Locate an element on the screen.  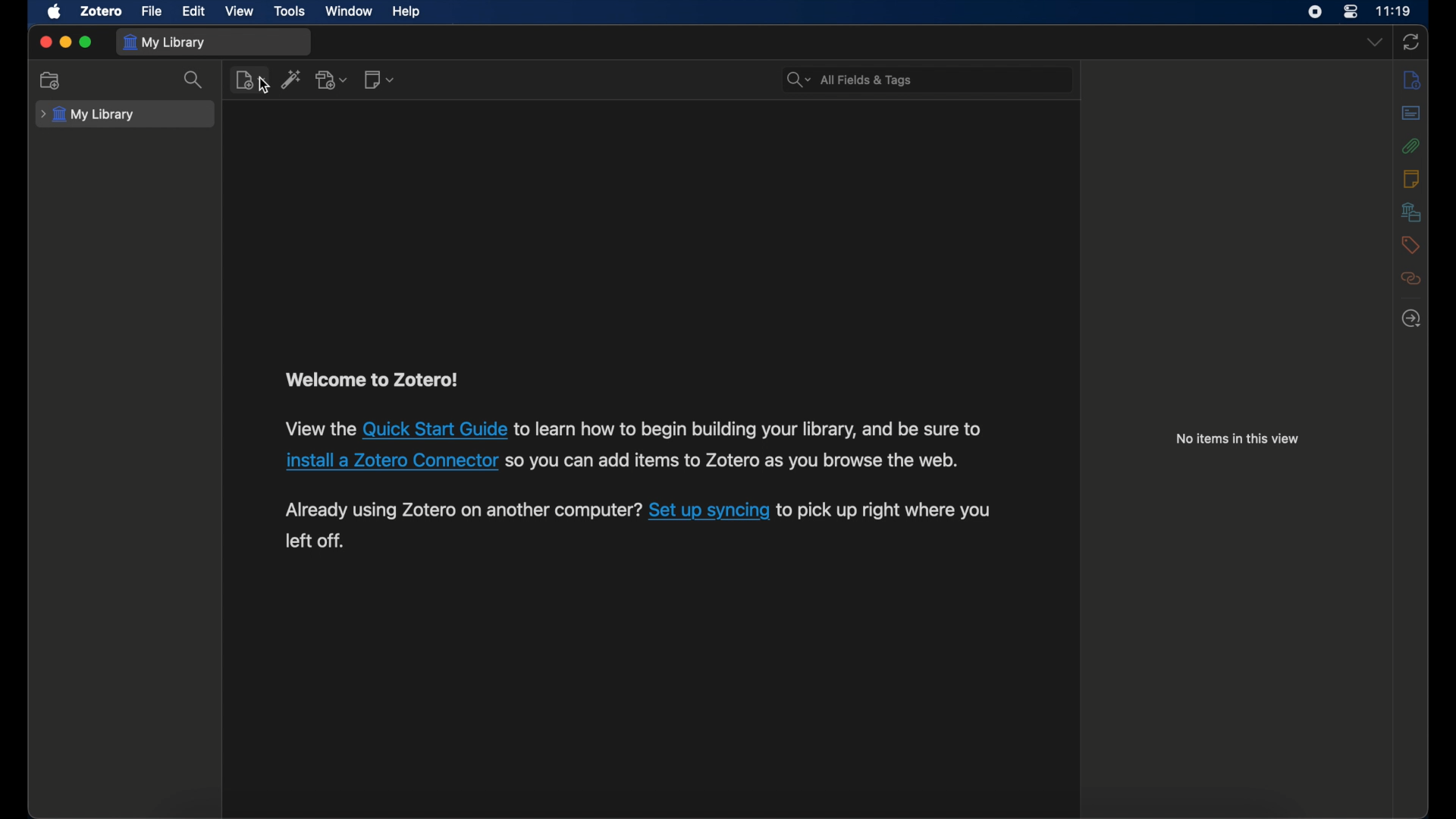
new item is located at coordinates (251, 80).